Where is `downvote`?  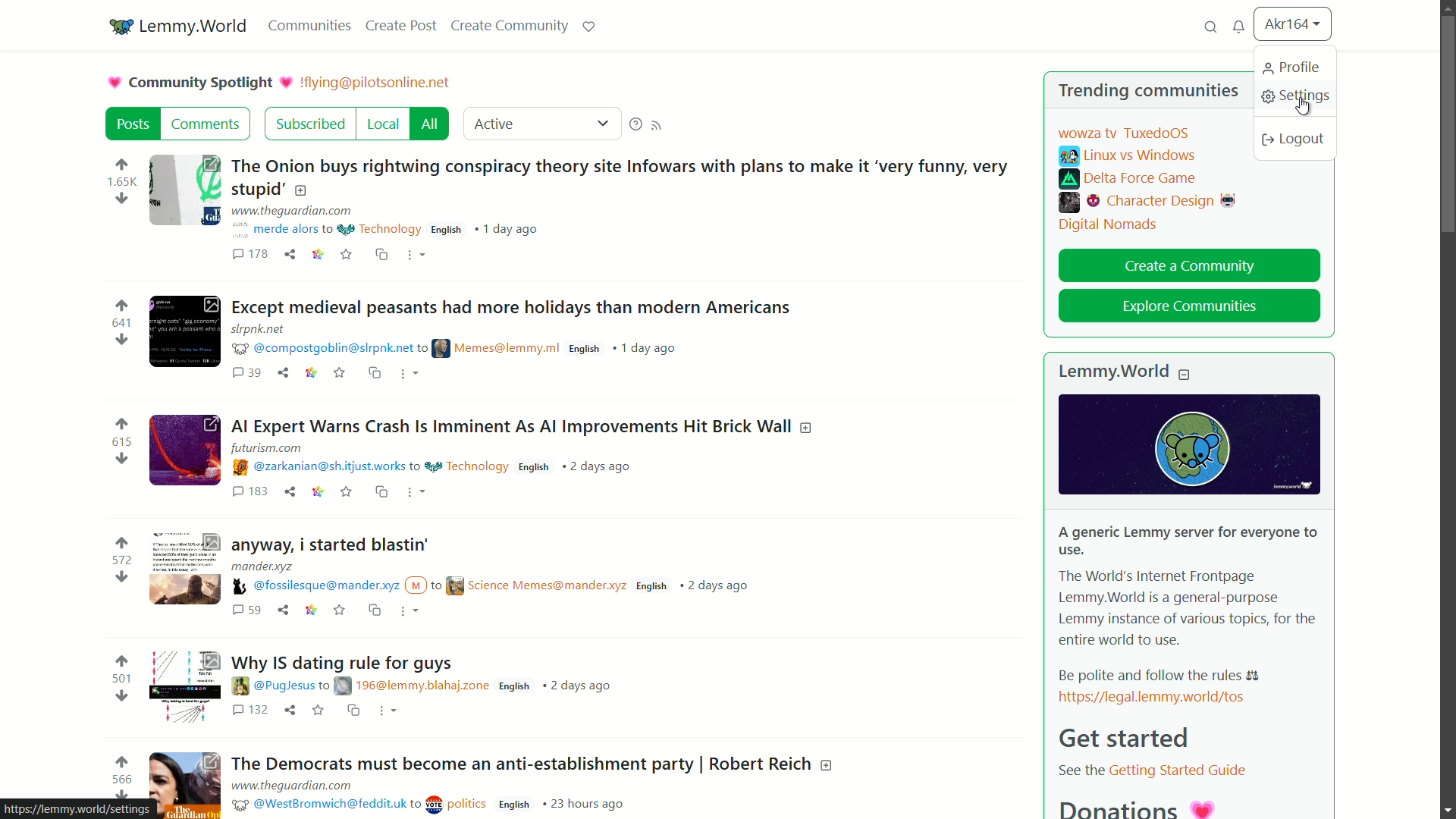 downvote is located at coordinates (121, 797).